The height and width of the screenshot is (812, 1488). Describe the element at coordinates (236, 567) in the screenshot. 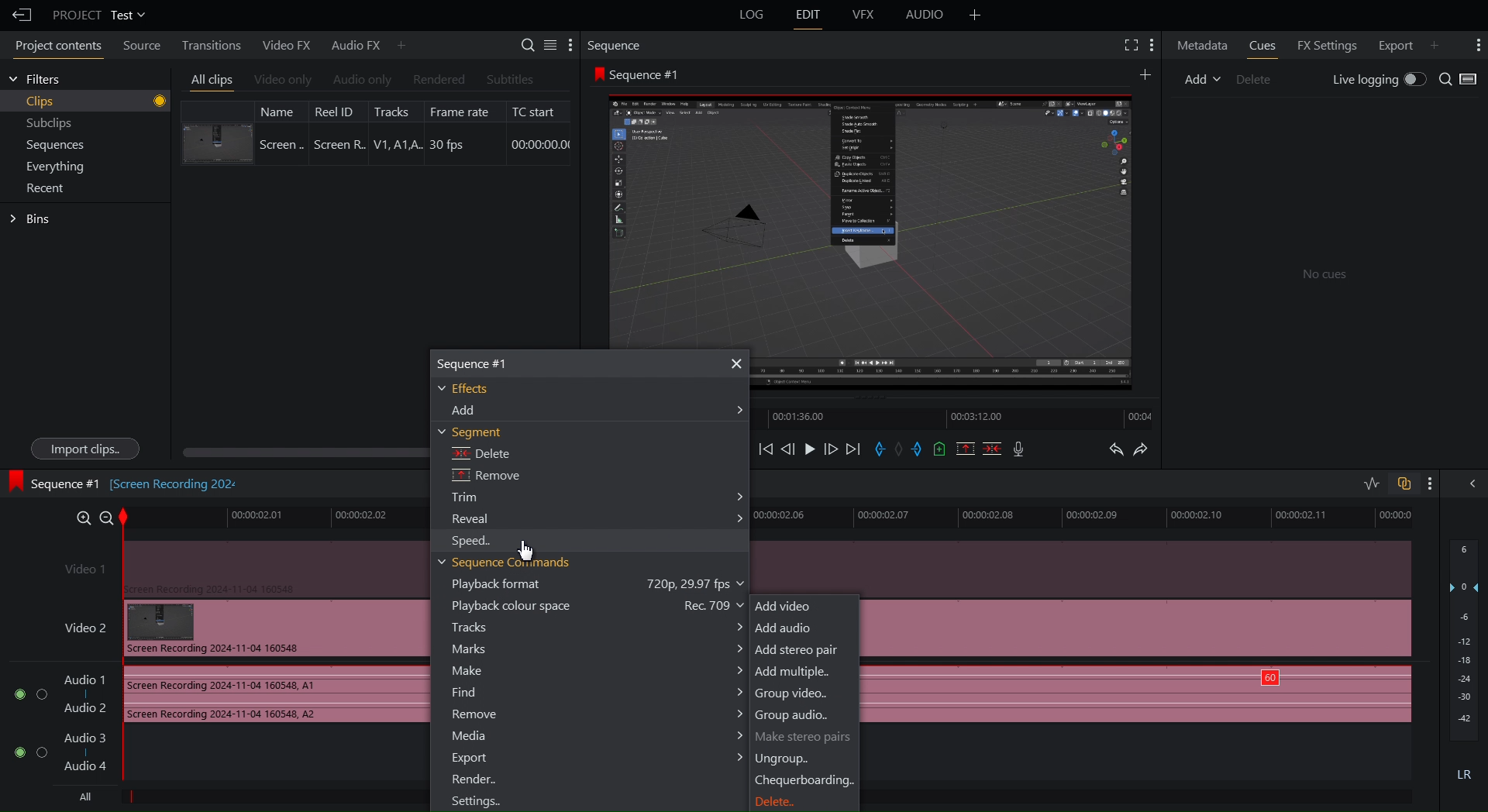

I see `Video 1` at that location.